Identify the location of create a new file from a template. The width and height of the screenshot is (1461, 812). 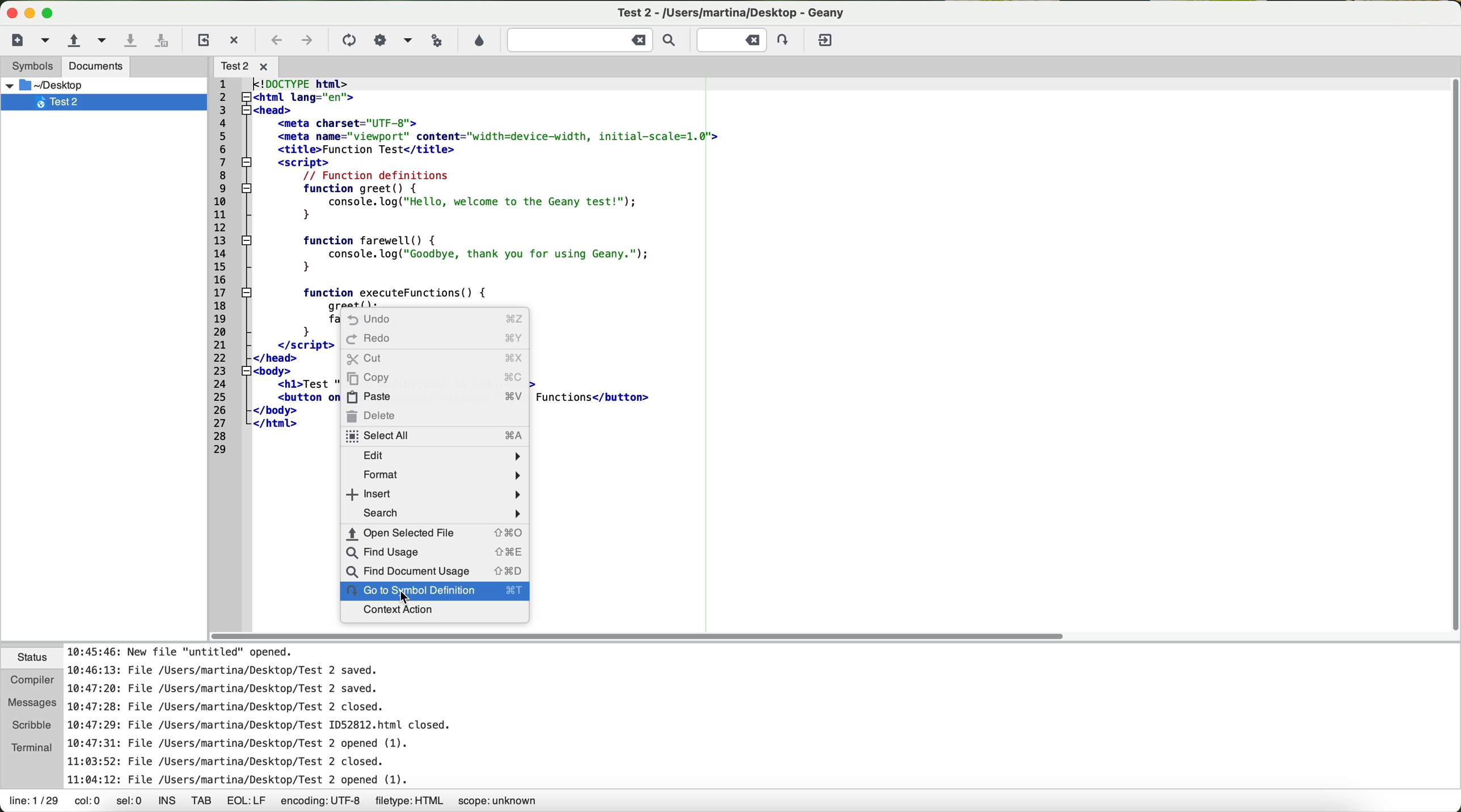
(48, 42).